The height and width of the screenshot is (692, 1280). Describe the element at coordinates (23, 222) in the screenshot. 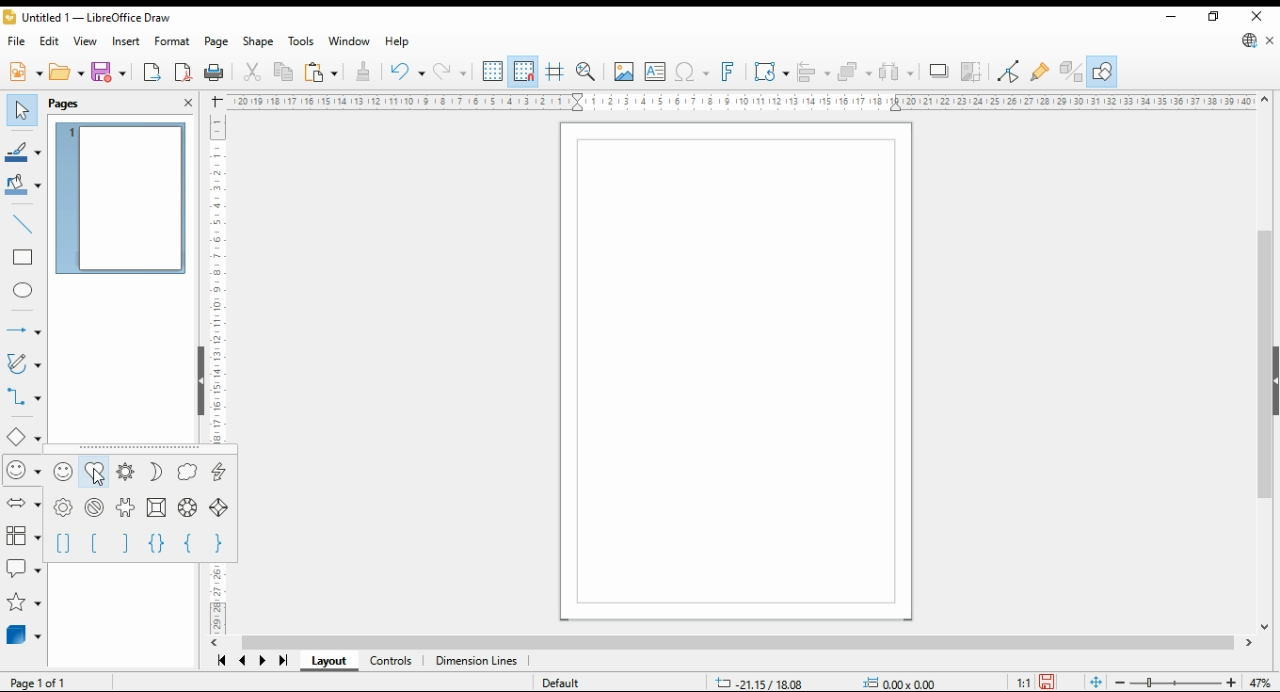

I see `insert line` at that location.